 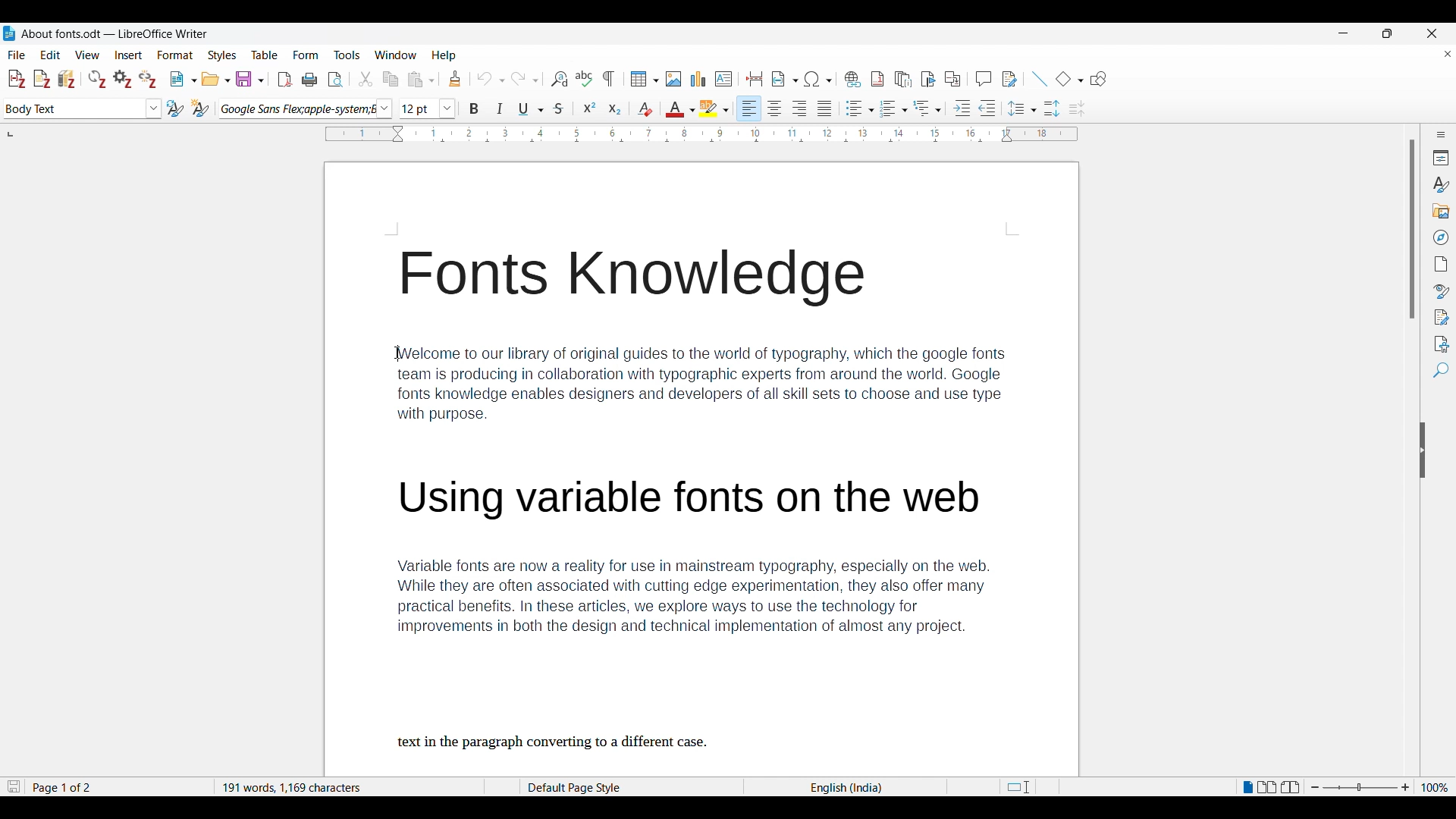 What do you see at coordinates (1053, 108) in the screenshot?
I see `Increase paragraph space` at bounding box center [1053, 108].